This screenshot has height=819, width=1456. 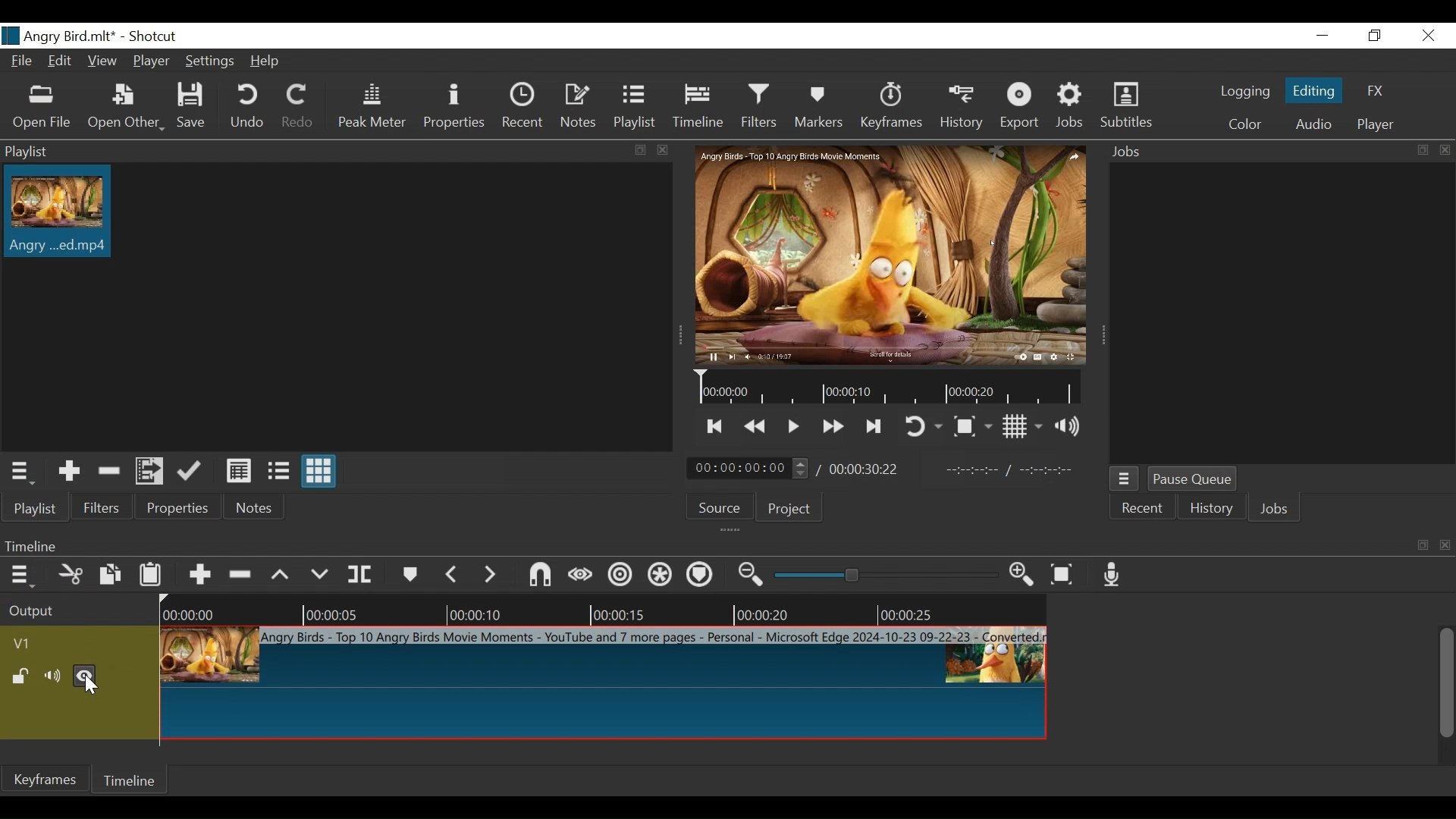 I want to click on Skip to the next point, so click(x=712, y=428).